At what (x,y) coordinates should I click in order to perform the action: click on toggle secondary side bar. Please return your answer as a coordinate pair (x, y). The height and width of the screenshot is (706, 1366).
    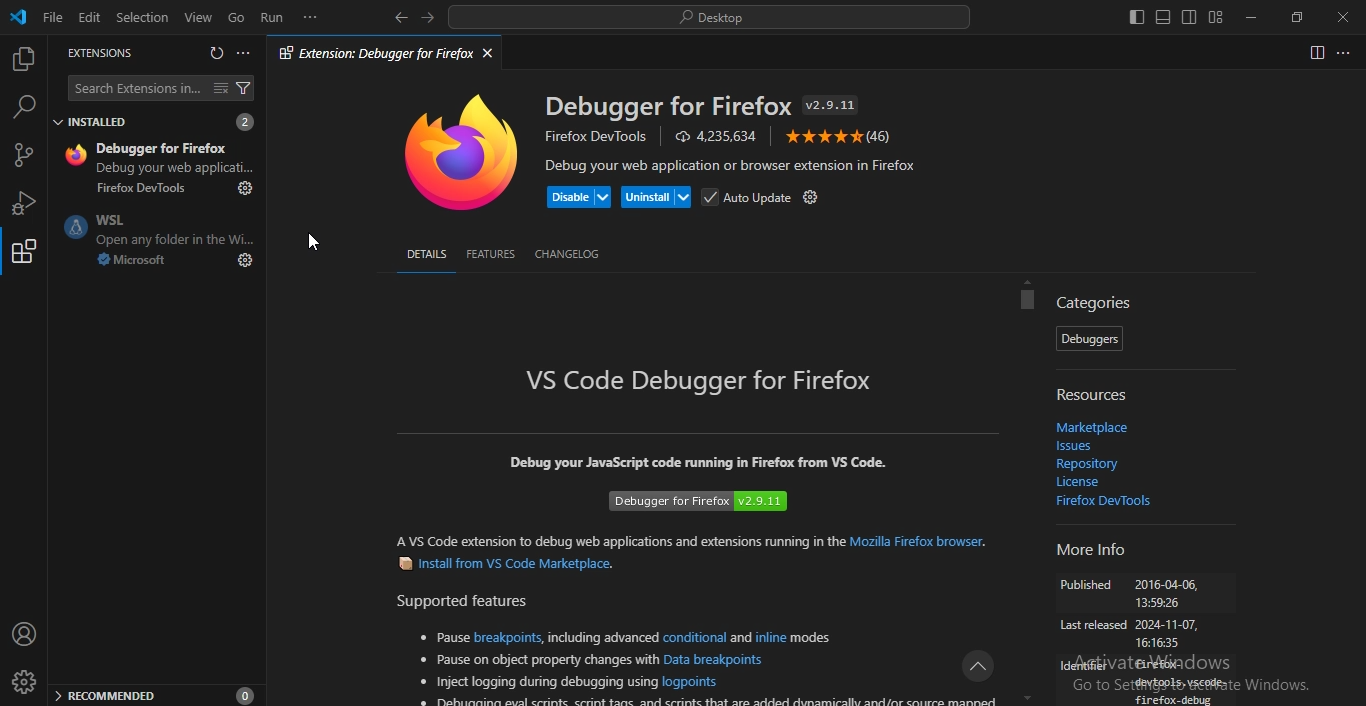
    Looking at the image, I should click on (1189, 17).